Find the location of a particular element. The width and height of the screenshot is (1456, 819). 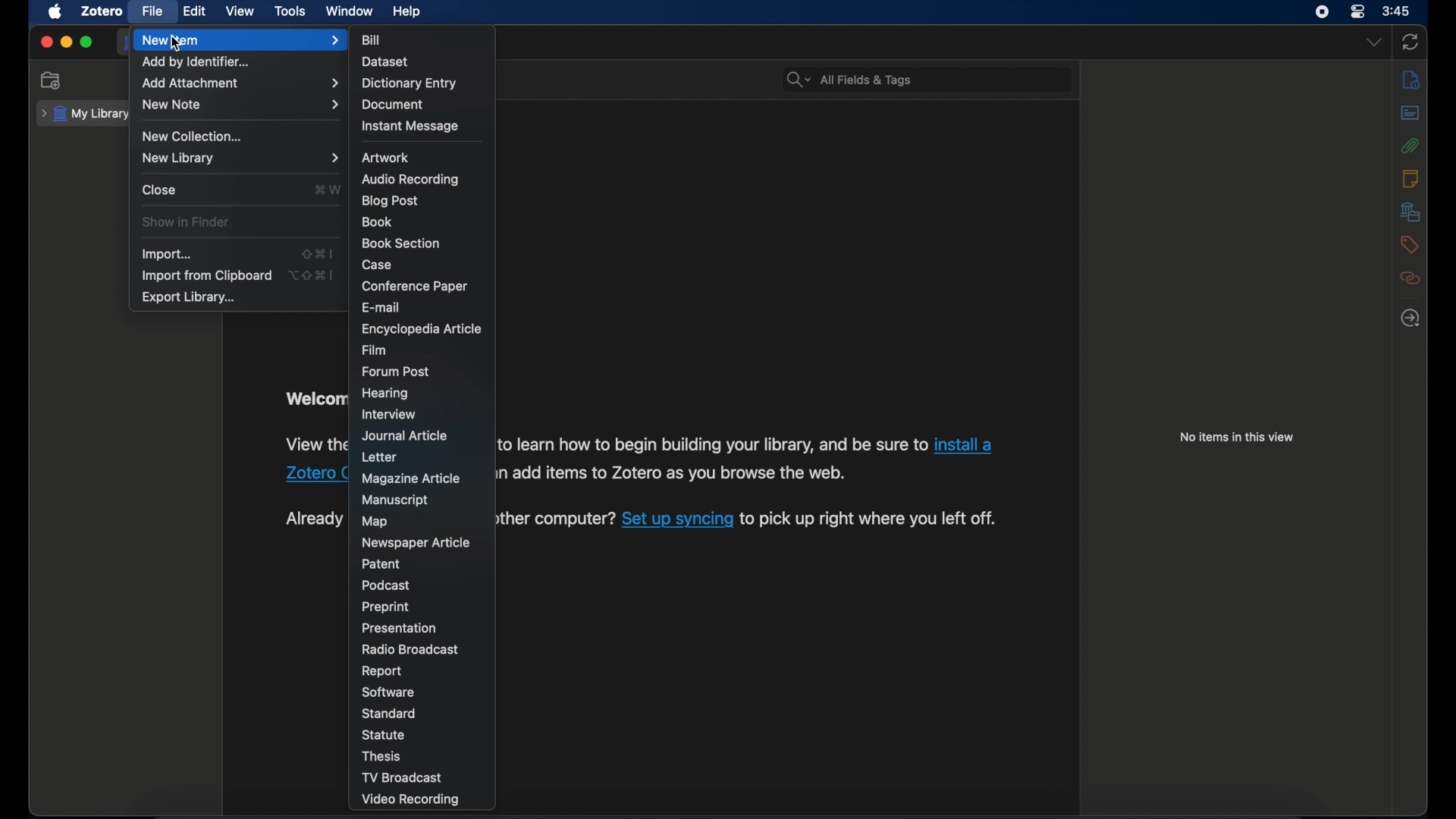

file is located at coordinates (153, 12).